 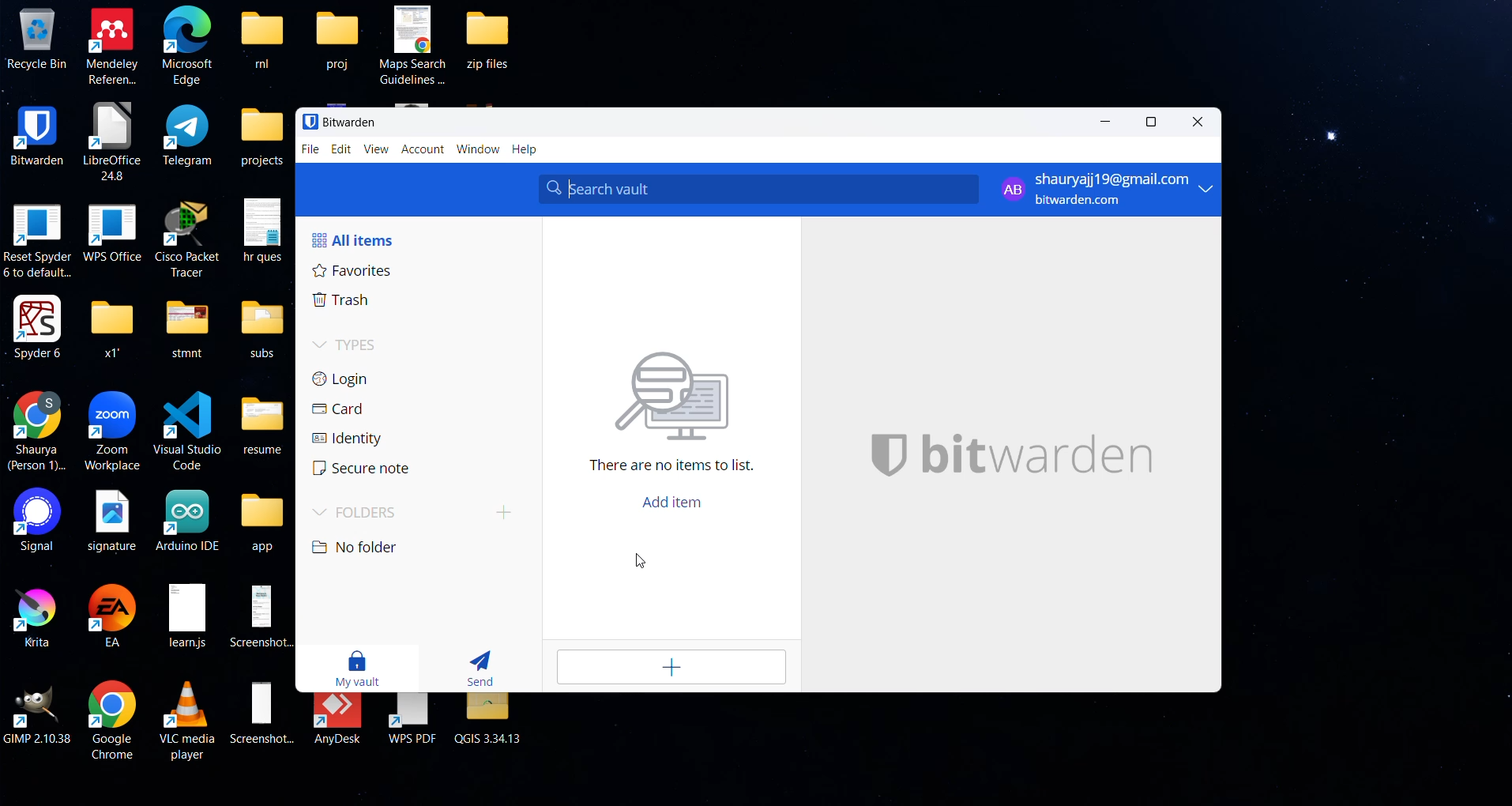 What do you see at coordinates (114, 431) in the screenshot?
I see `Zoom Workplace` at bounding box center [114, 431].